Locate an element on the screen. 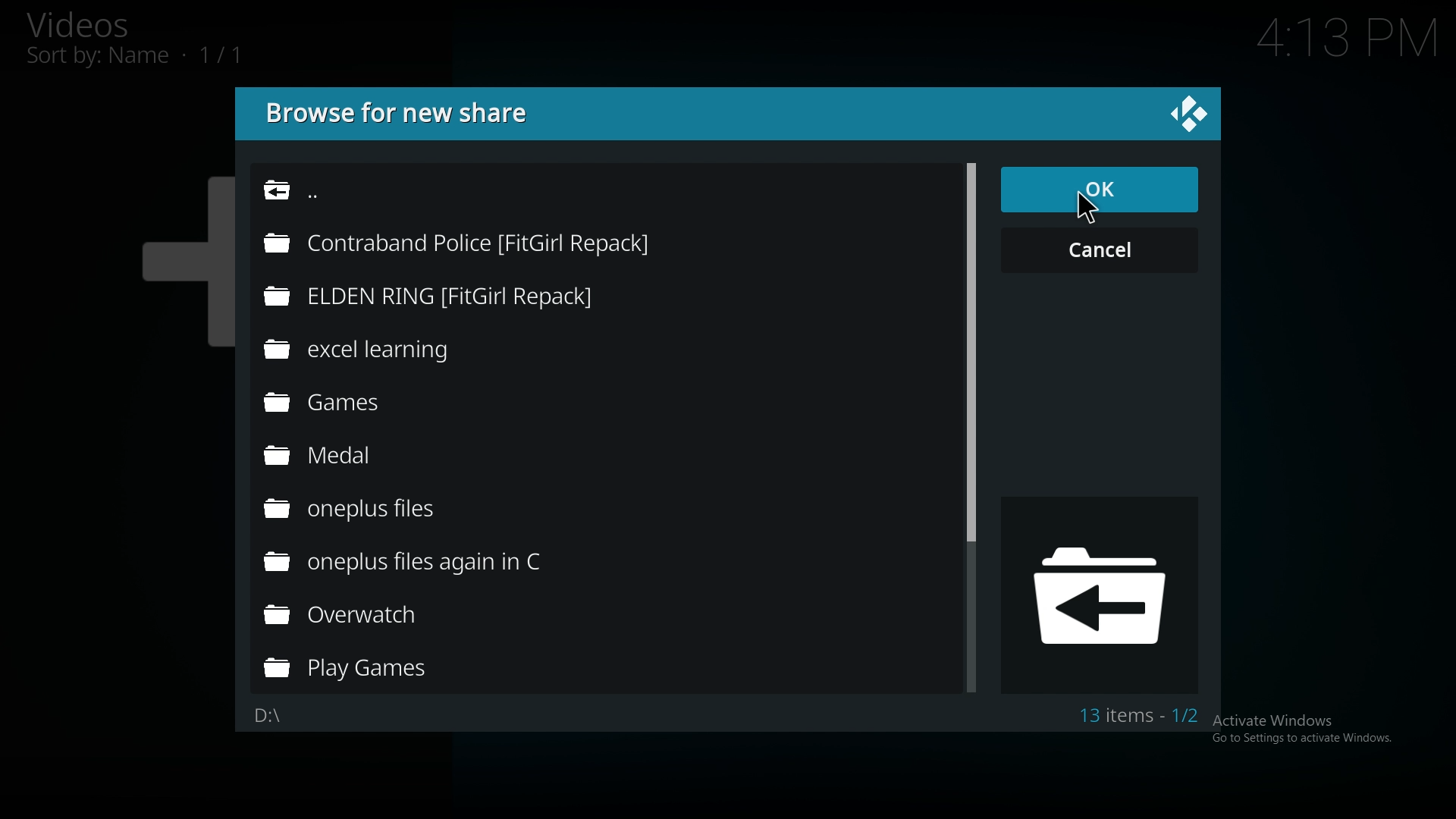  scroll bar is located at coordinates (970, 351).